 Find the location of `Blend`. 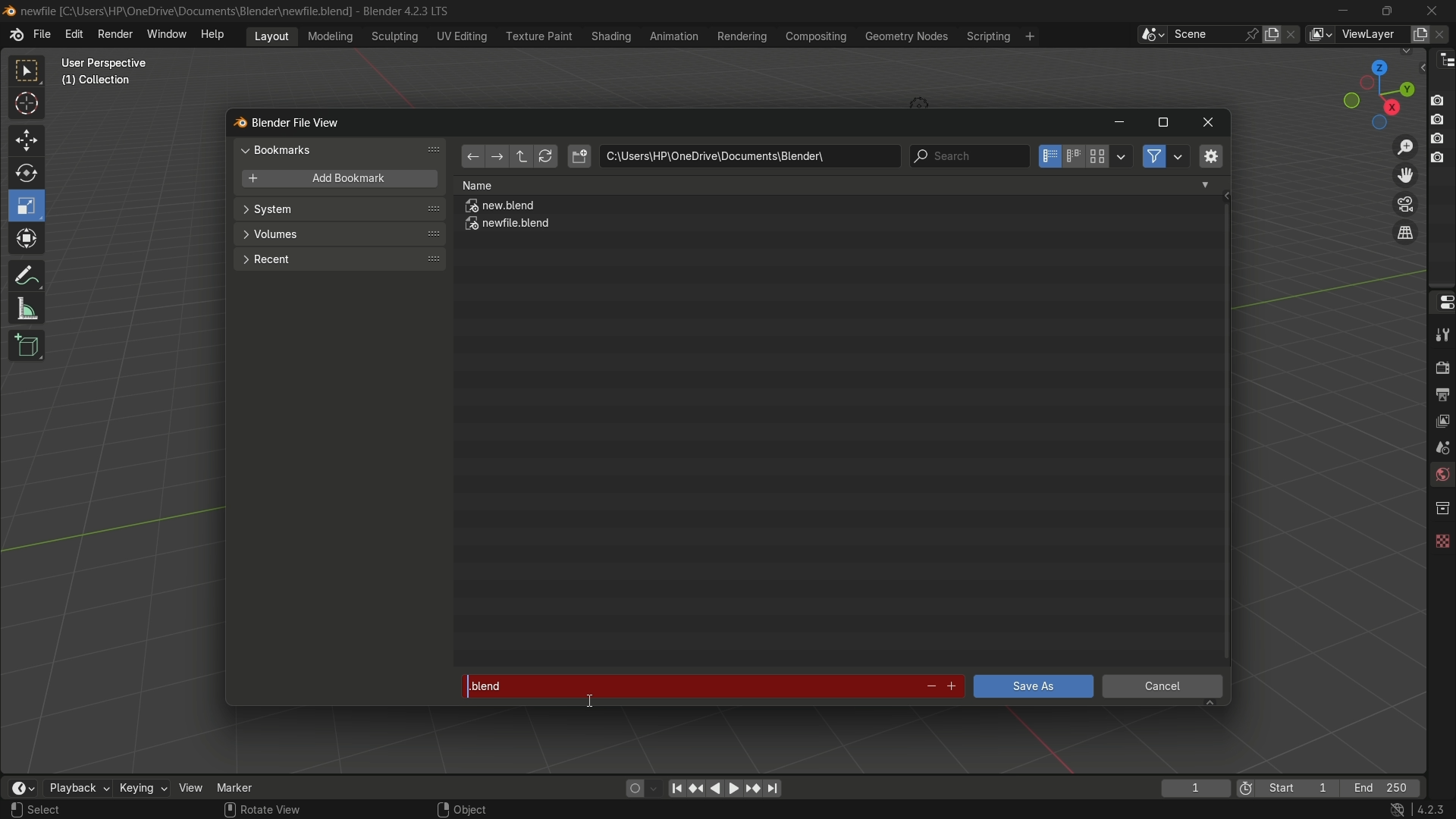

Blend is located at coordinates (9, 10).